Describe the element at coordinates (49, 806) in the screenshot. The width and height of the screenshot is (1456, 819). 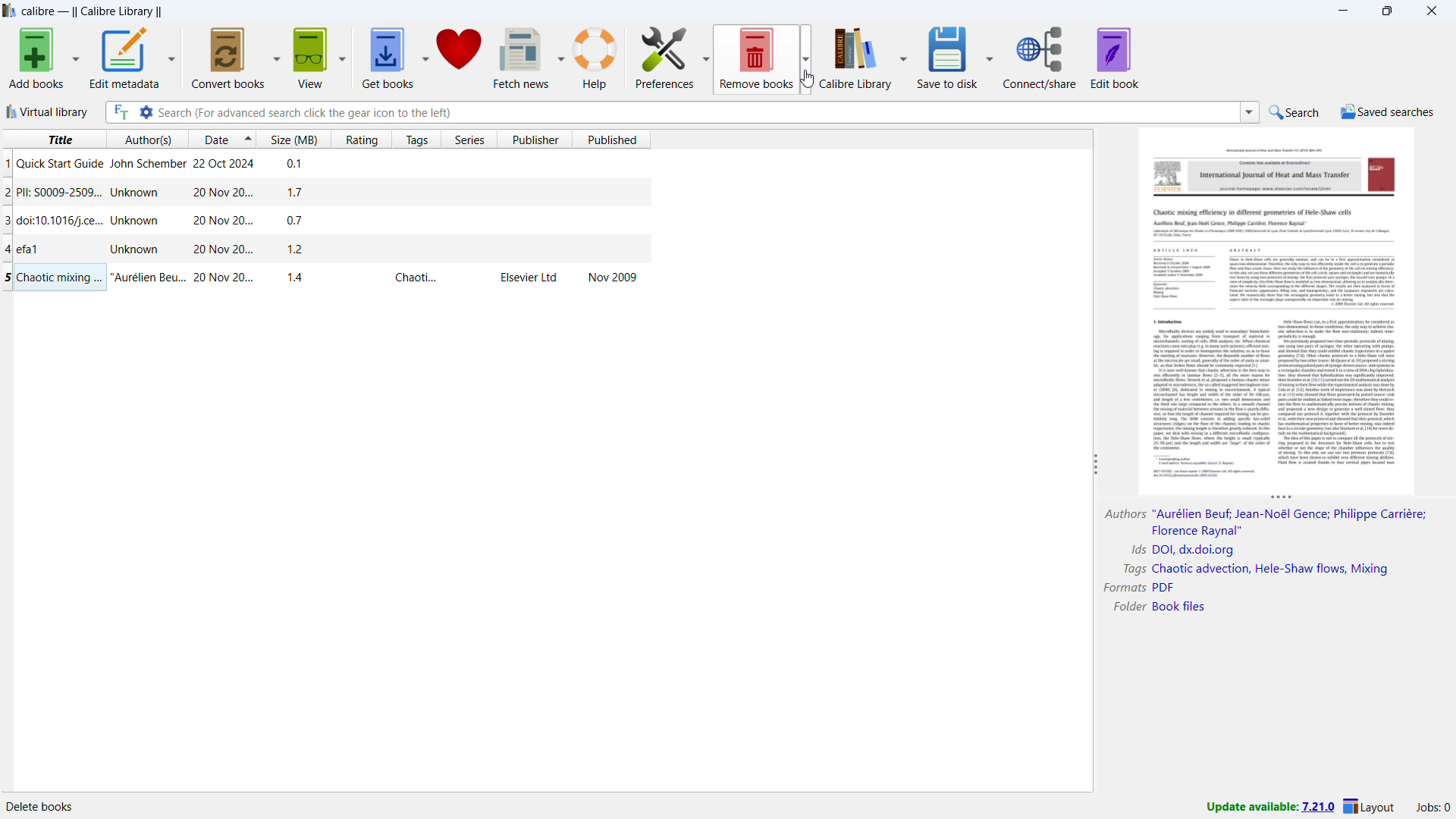
I see `program information` at that location.